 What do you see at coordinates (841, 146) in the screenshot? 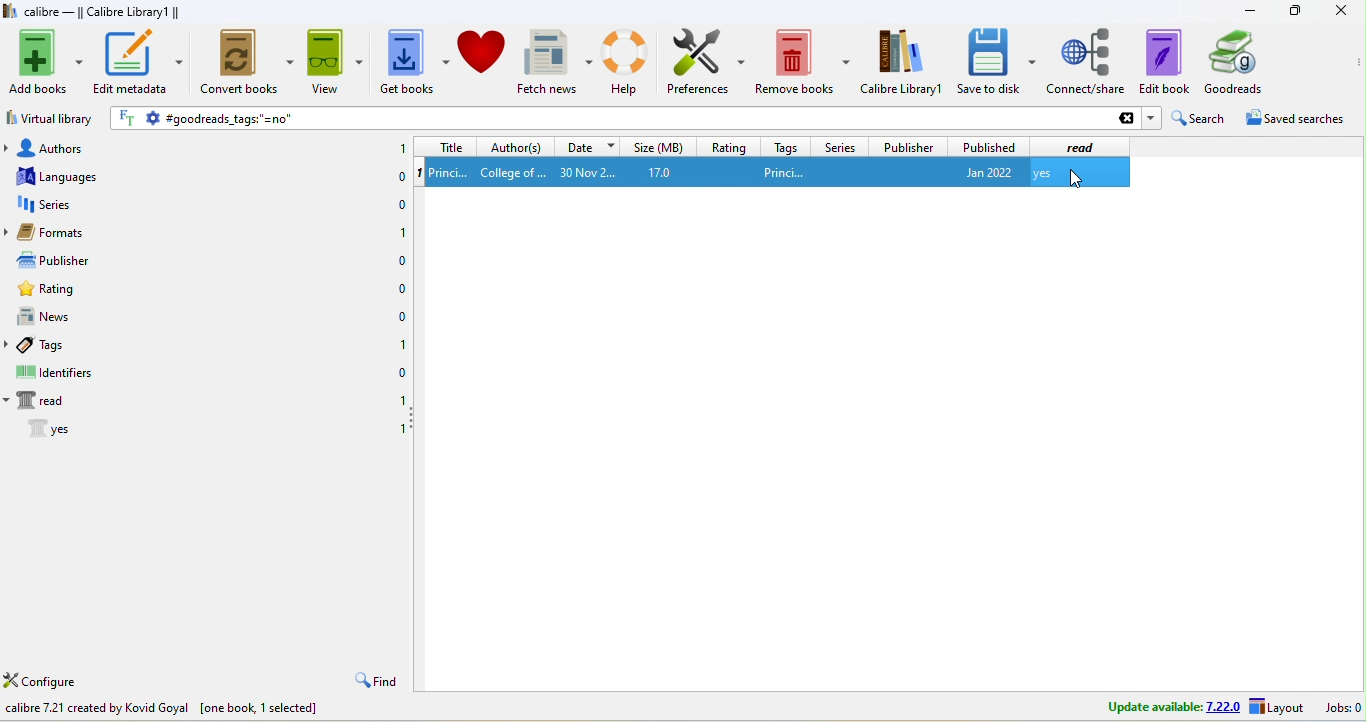
I see `series` at bounding box center [841, 146].